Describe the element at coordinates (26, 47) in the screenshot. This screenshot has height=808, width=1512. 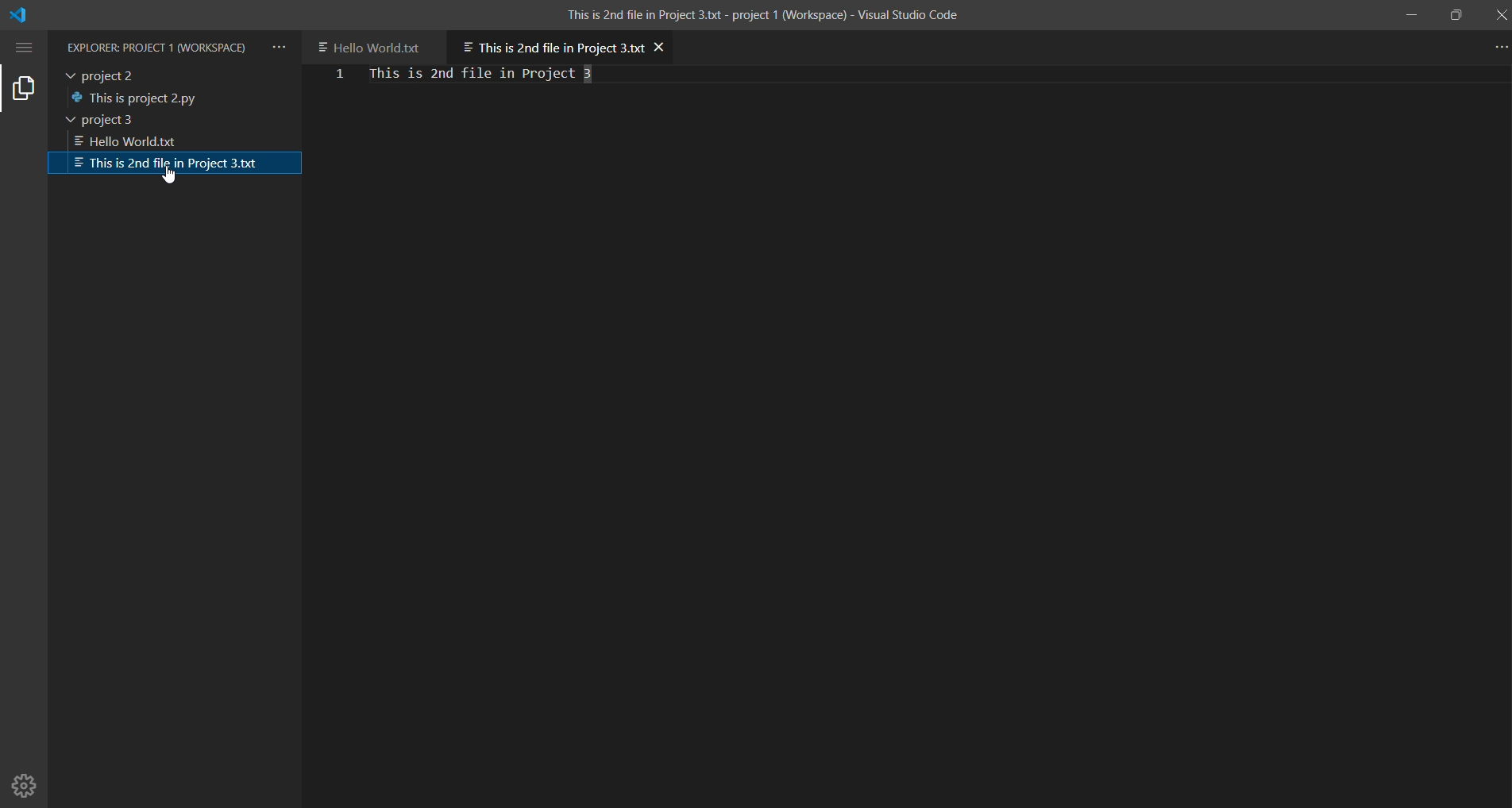
I see `menu options` at that location.